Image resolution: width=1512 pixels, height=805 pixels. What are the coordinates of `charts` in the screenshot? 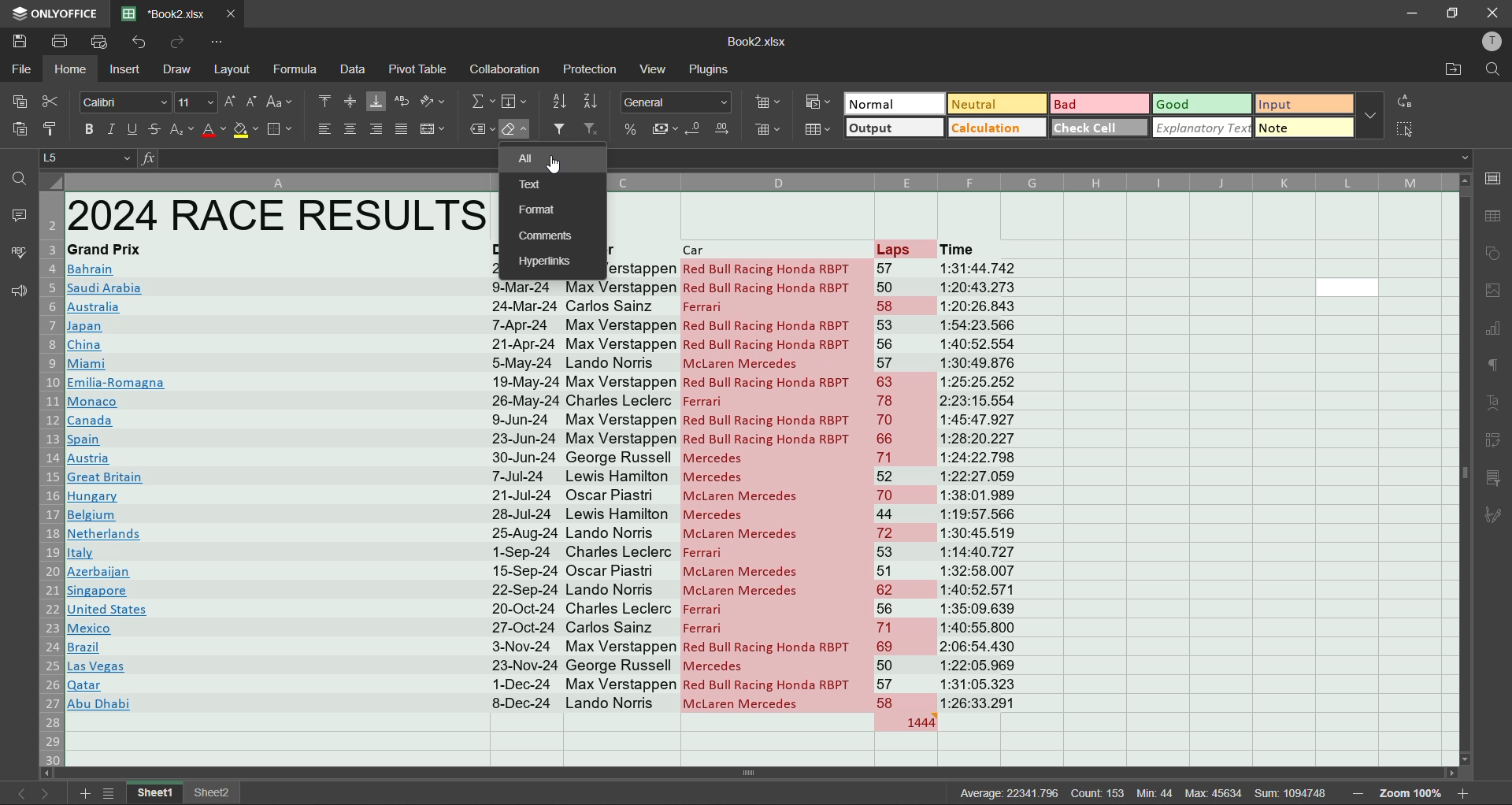 It's located at (1492, 332).